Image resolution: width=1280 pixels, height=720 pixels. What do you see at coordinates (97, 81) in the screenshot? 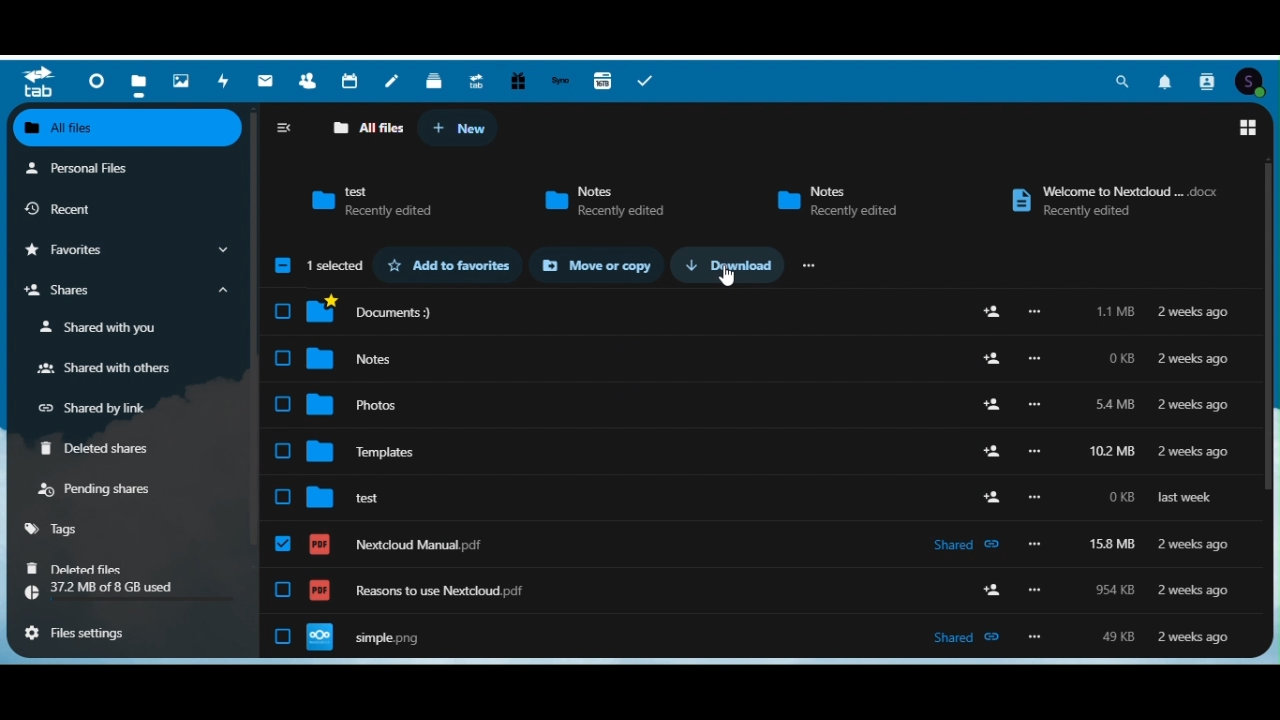
I see `Dashboard` at bounding box center [97, 81].